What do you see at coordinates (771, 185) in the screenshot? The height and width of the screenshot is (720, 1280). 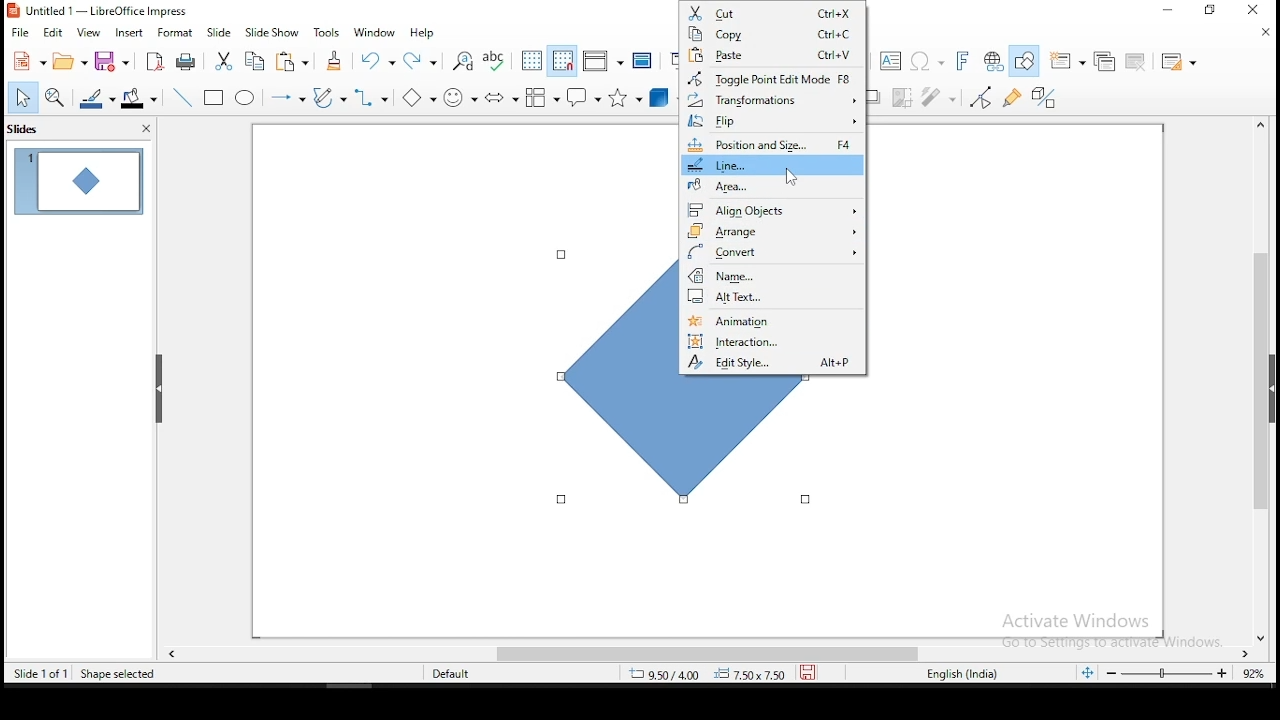 I see `area` at bounding box center [771, 185].